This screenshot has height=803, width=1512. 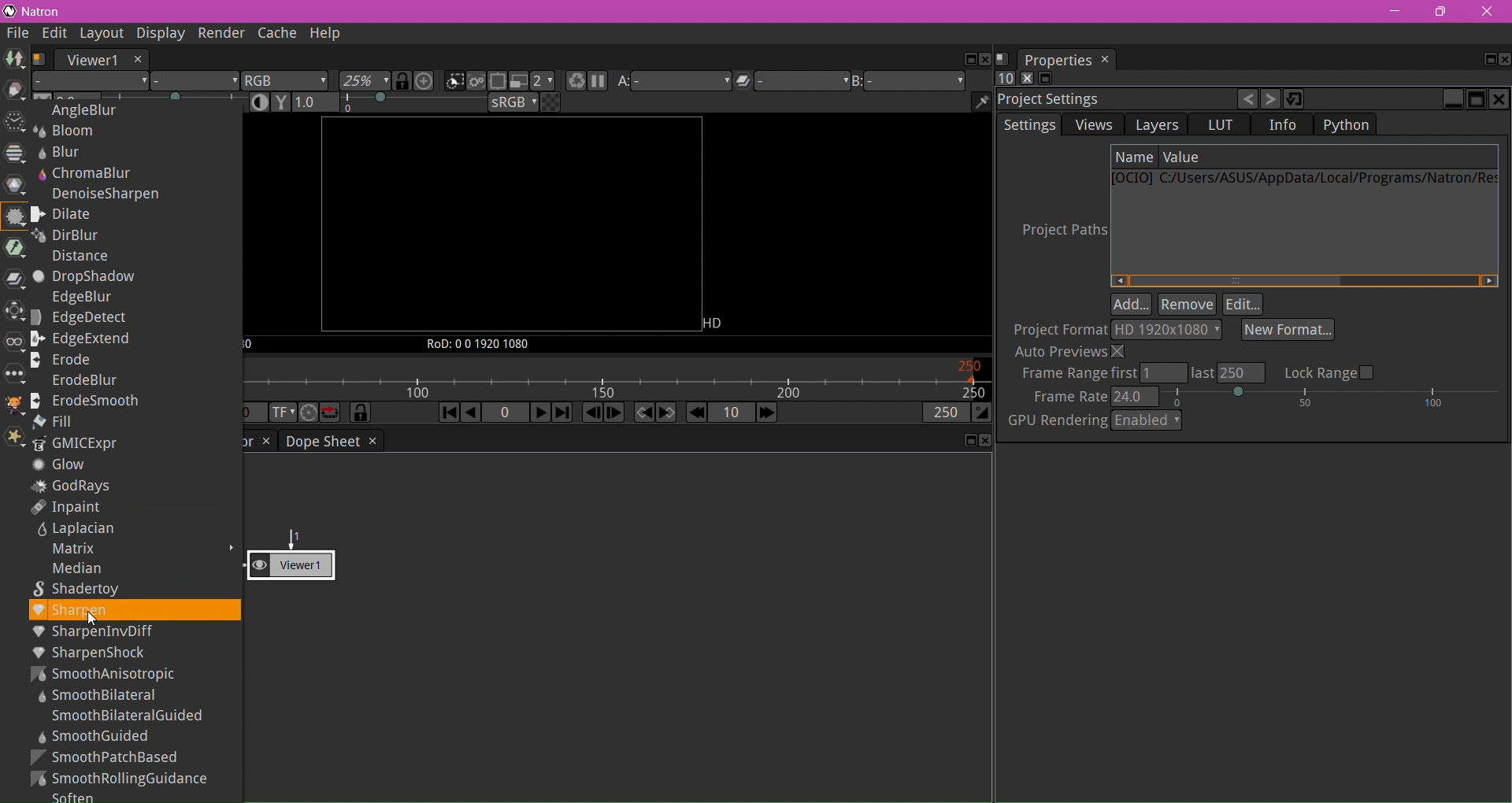 What do you see at coordinates (789, 83) in the screenshot?
I see `The operator applied between viewer inputs A and B` at bounding box center [789, 83].